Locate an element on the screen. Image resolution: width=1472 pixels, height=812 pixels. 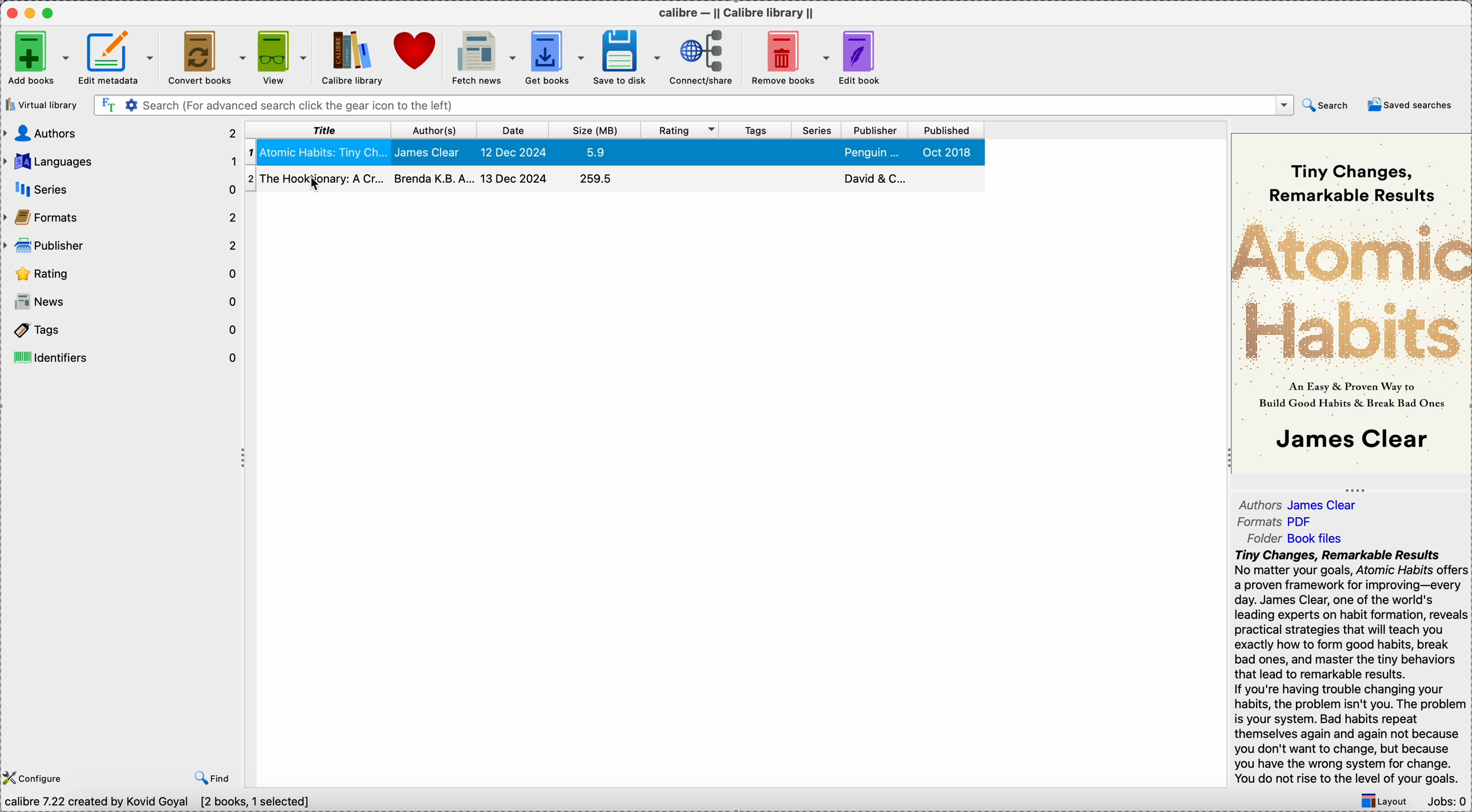
edit book is located at coordinates (861, 58).